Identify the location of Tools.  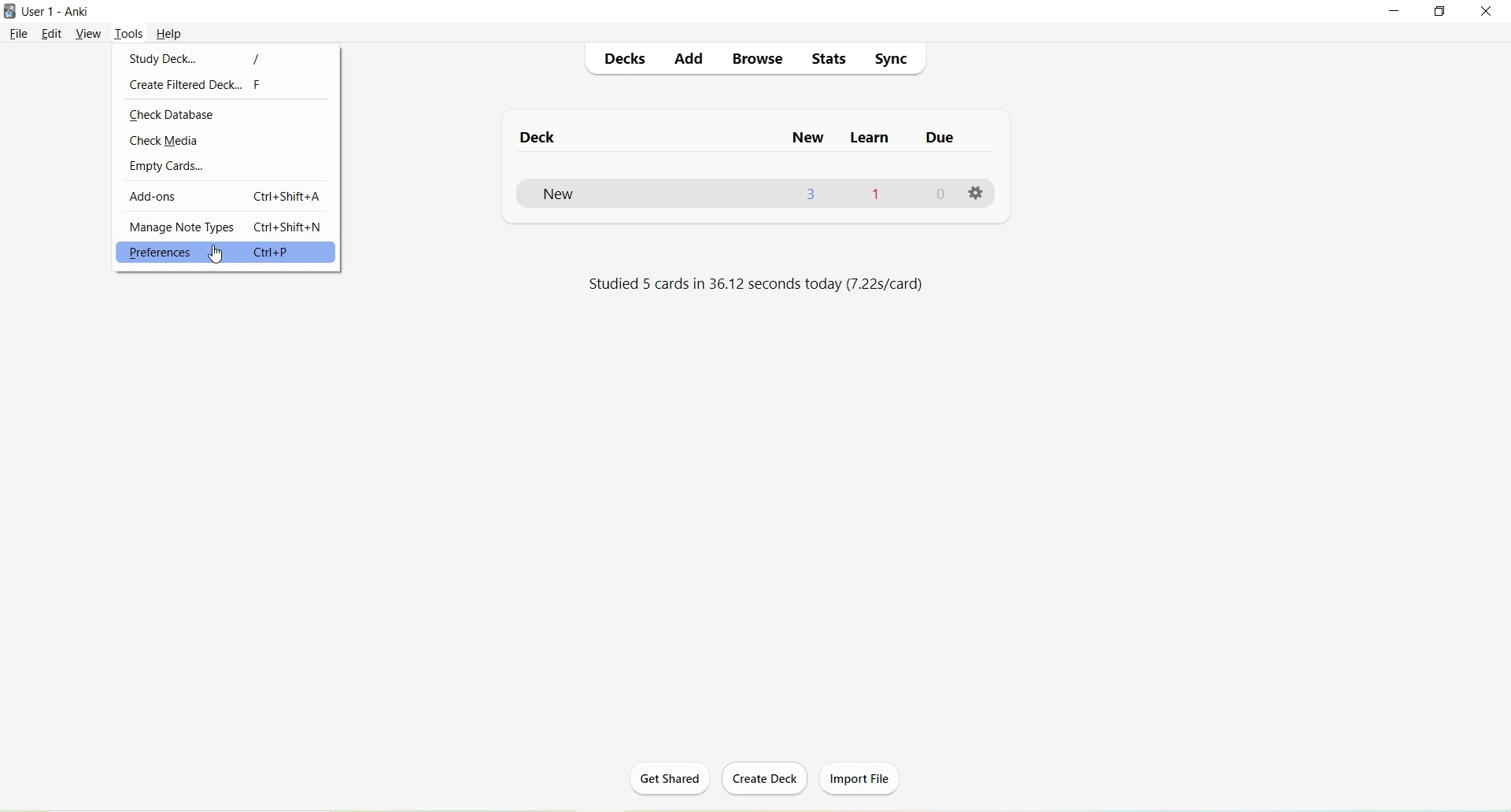
(132, 32).